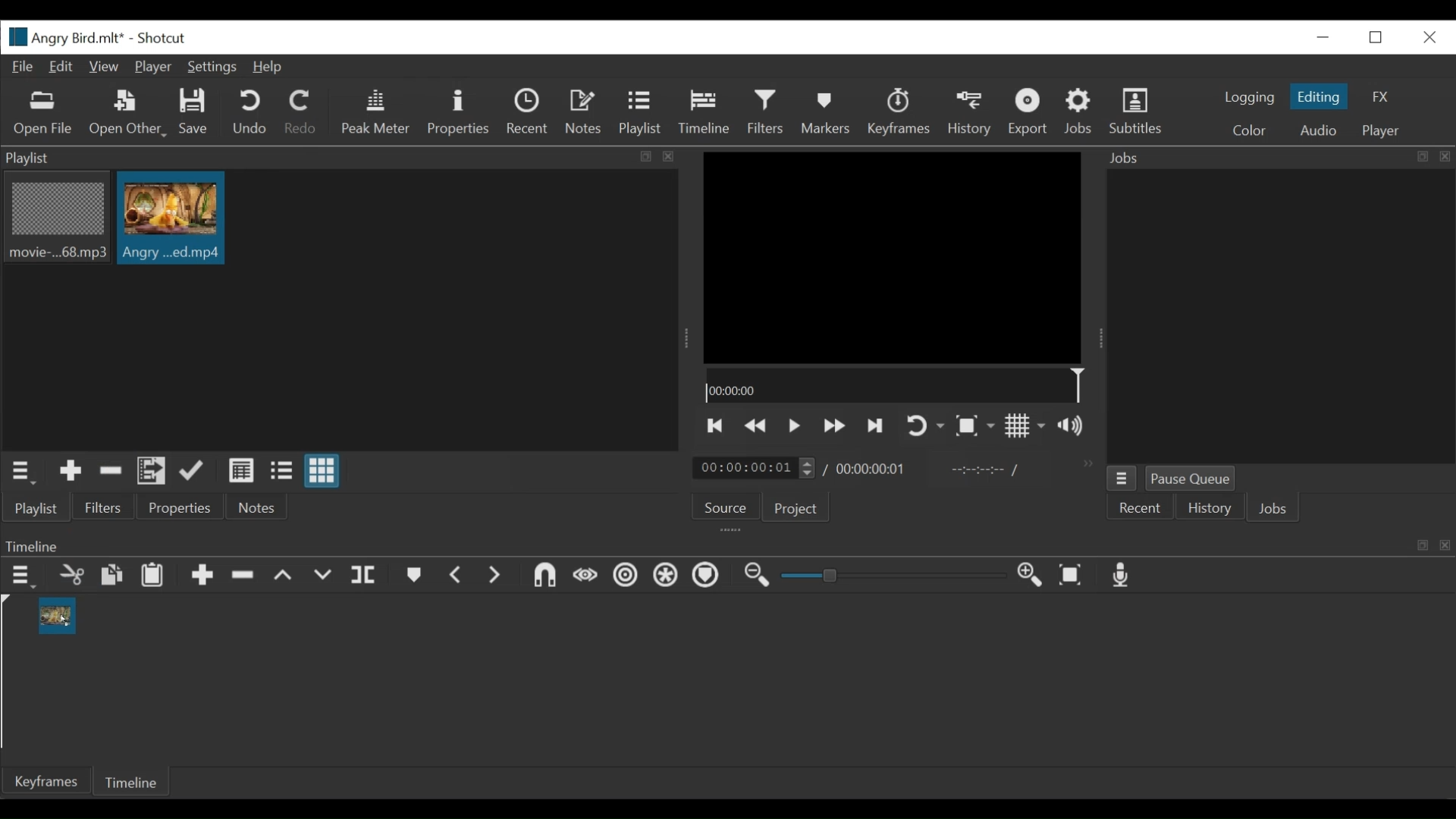 This screenshot has width=1456, height=819. Describe the element at coordinates (726, 505) in the screenshot. I see `Source` at that location.